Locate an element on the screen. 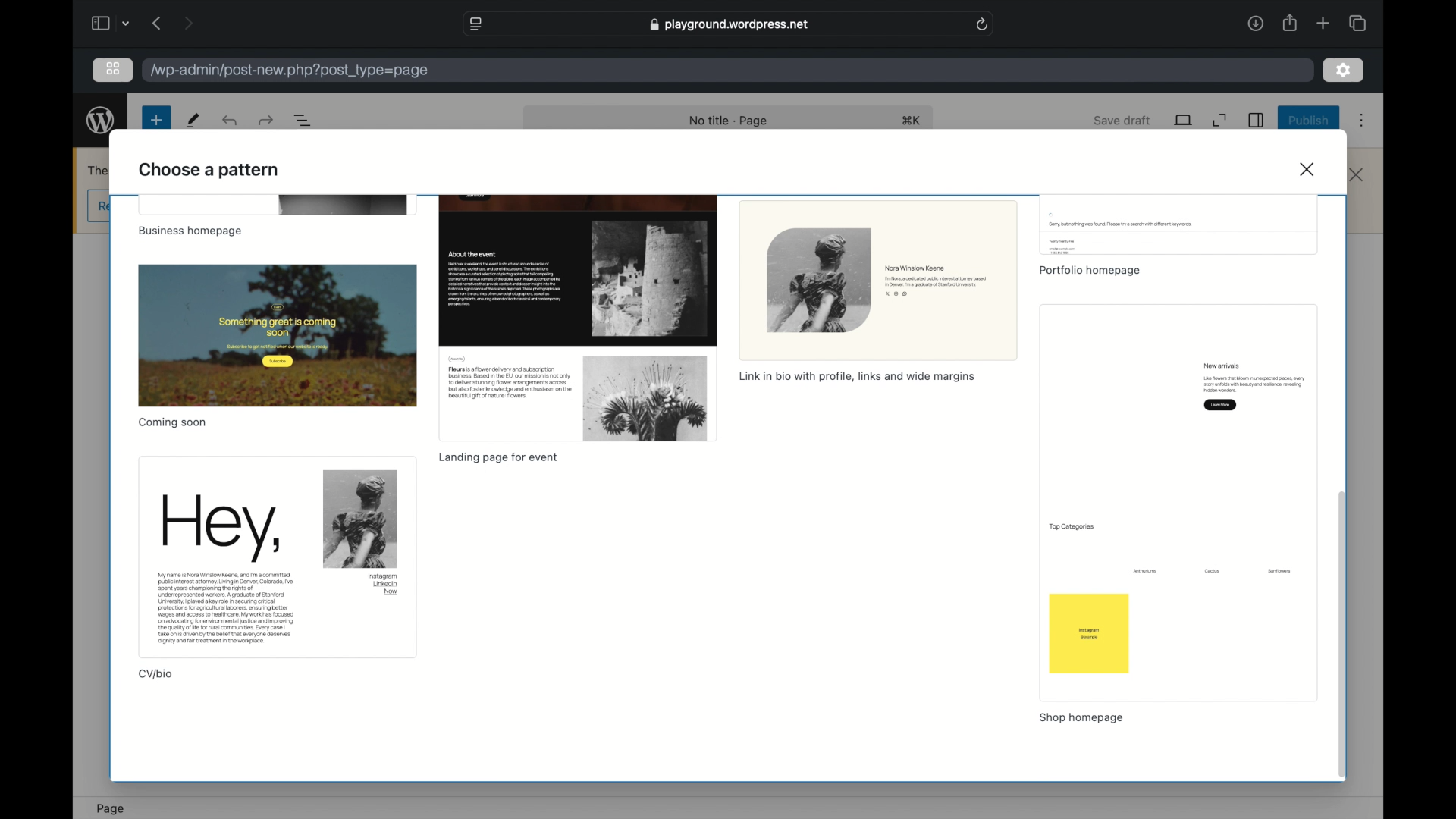 The height and width of the screenshot is (819, 1456). business homepage is located at coordinates (192, 232).